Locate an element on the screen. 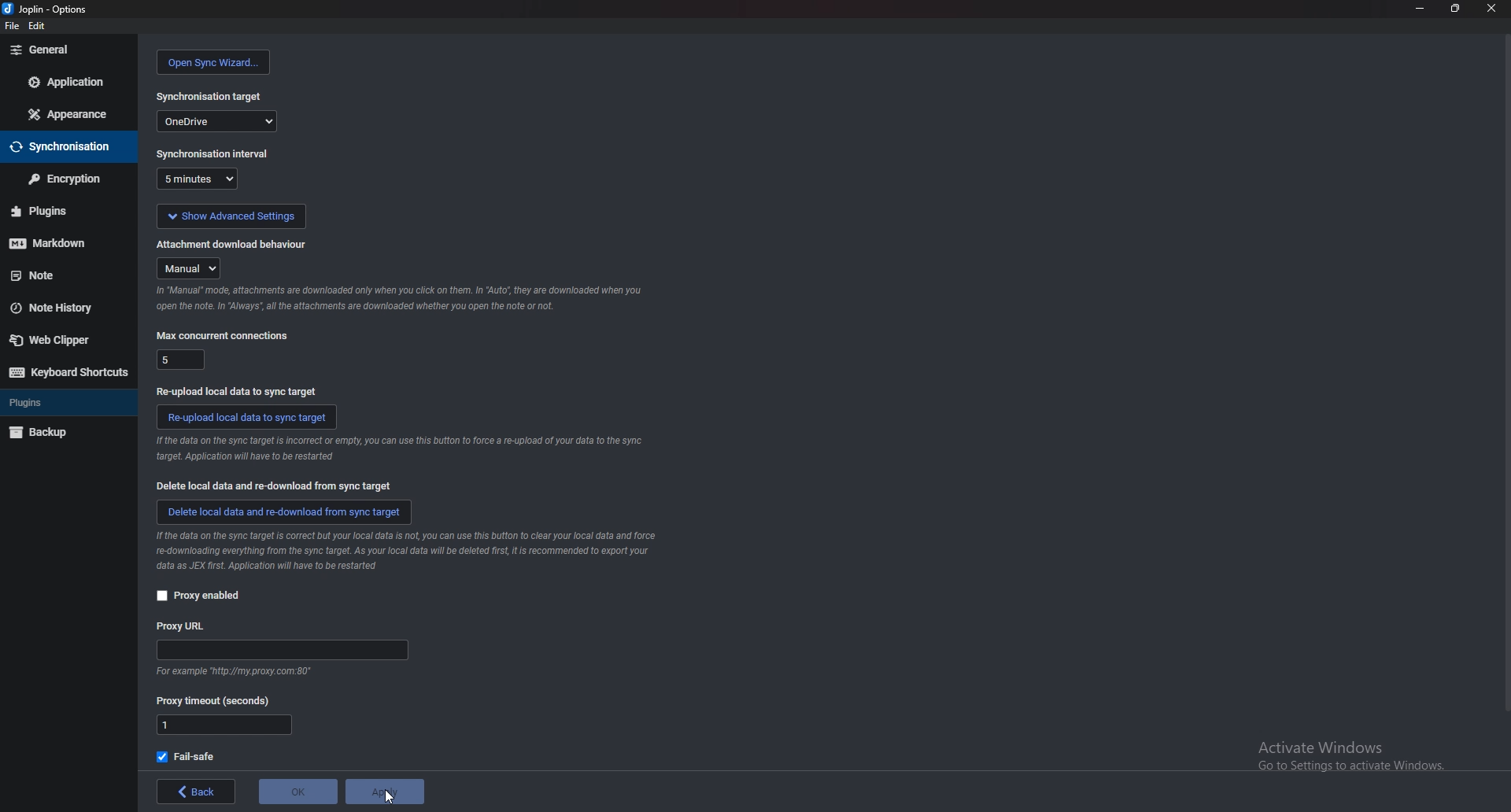 This screenshot has height=812, width=1511. plugins is located at coordinates (63, 211).